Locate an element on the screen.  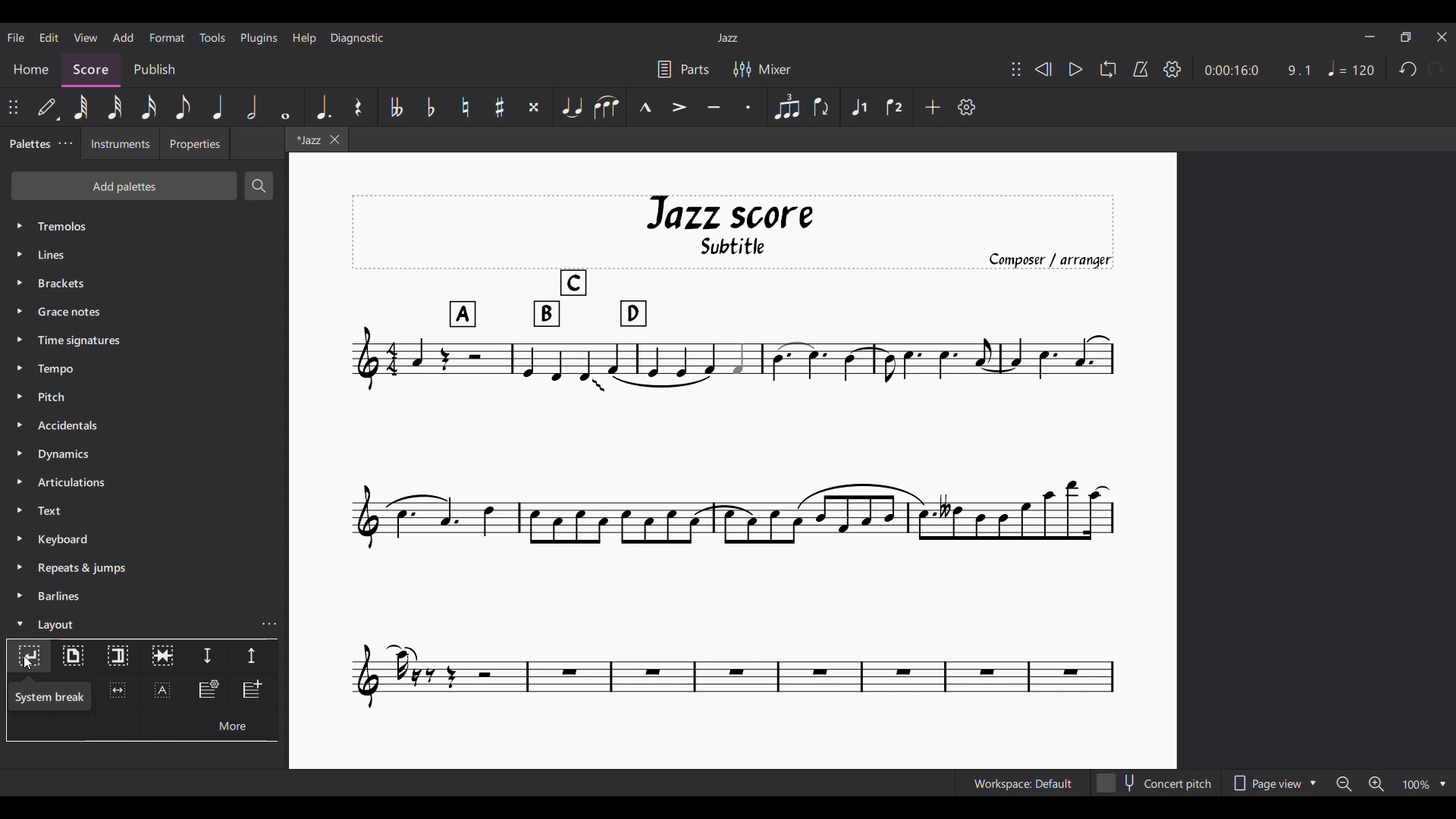
9.1 is located at coordinates (1299, 71).